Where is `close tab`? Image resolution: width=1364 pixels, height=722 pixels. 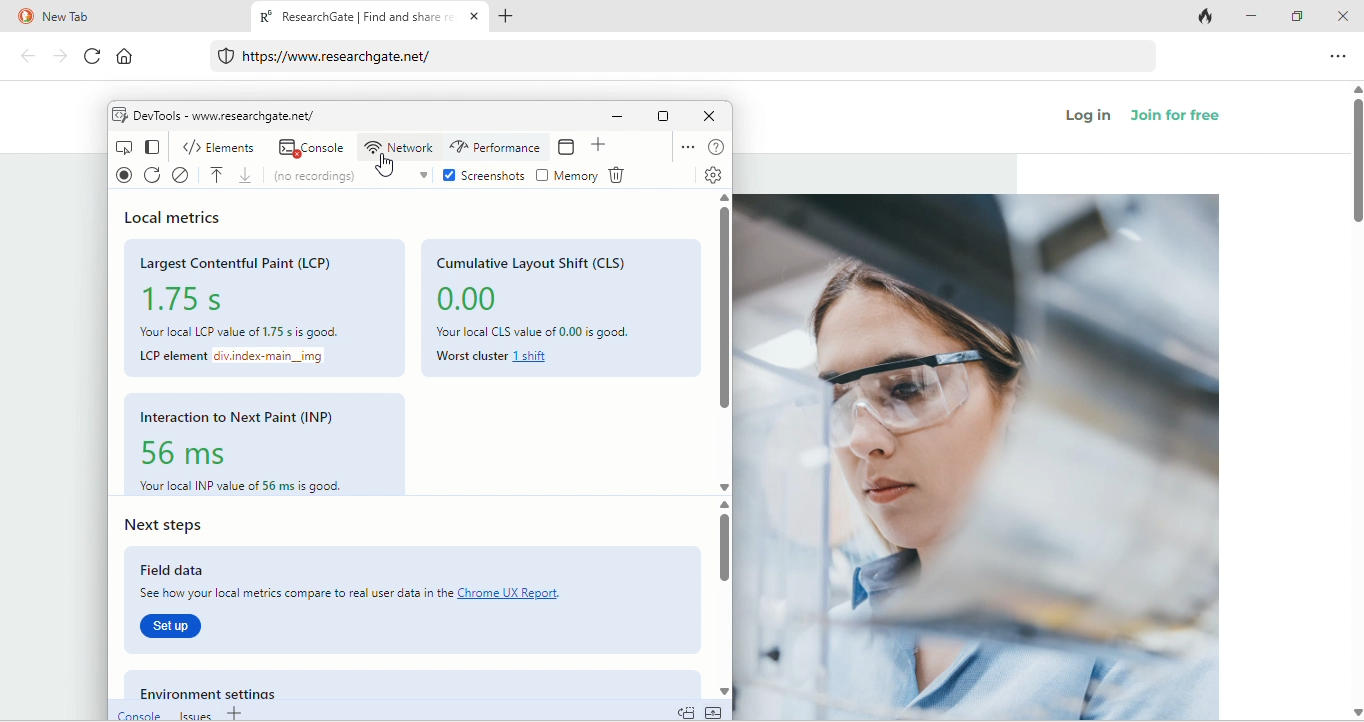
close tab is located at coordinates (475, 18).